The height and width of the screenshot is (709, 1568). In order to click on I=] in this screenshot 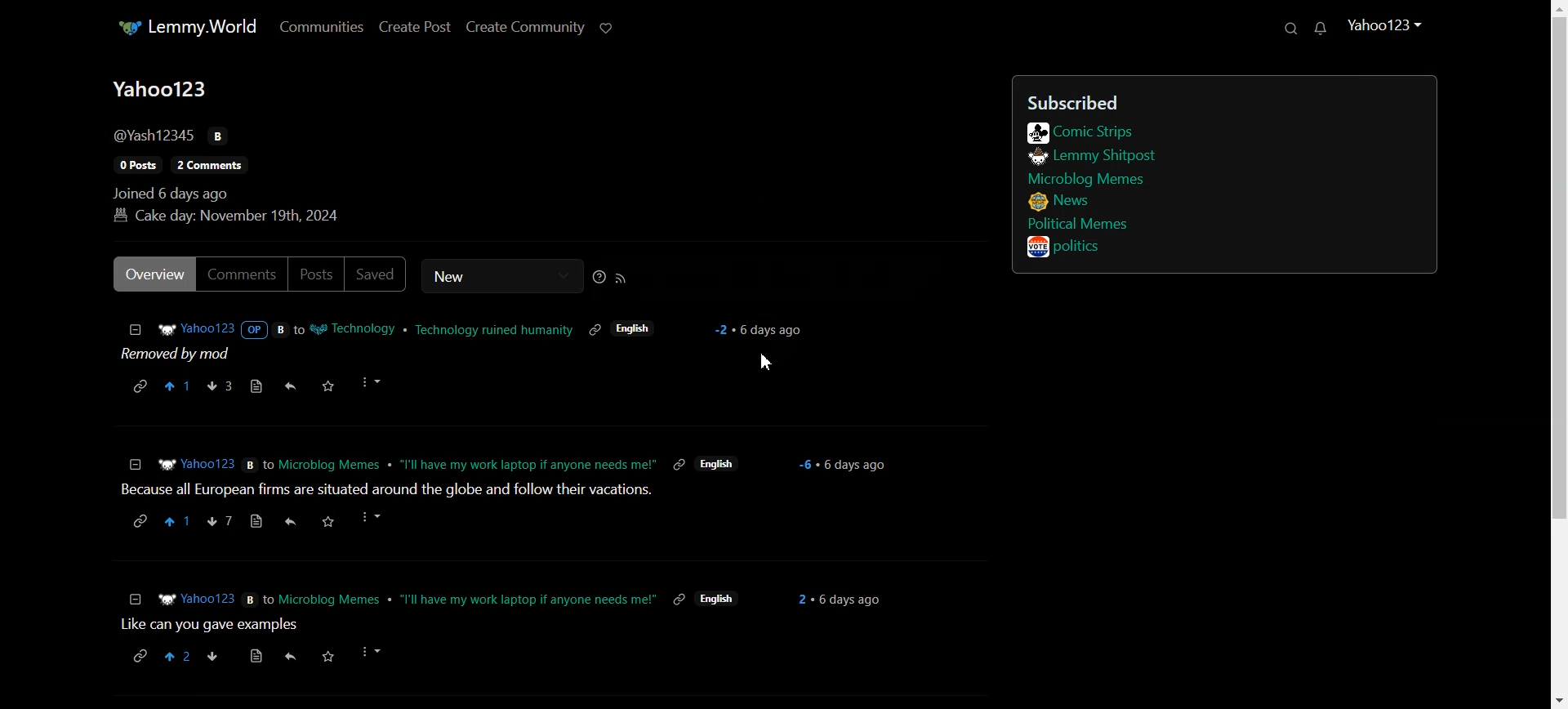, I will do `click(134, 596)`.